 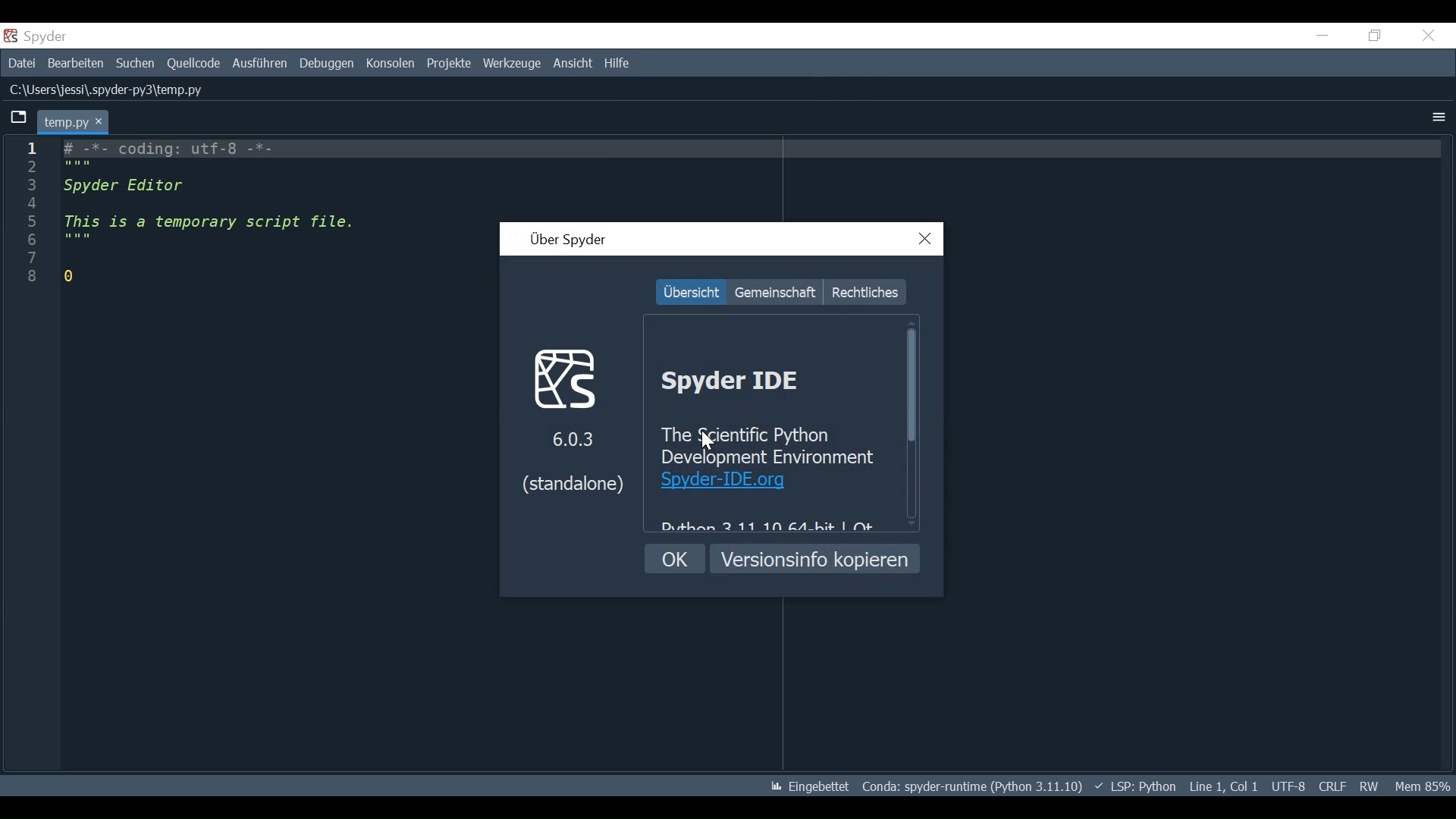 I want to click on Memory Usage, so click(x=1423, y=786).